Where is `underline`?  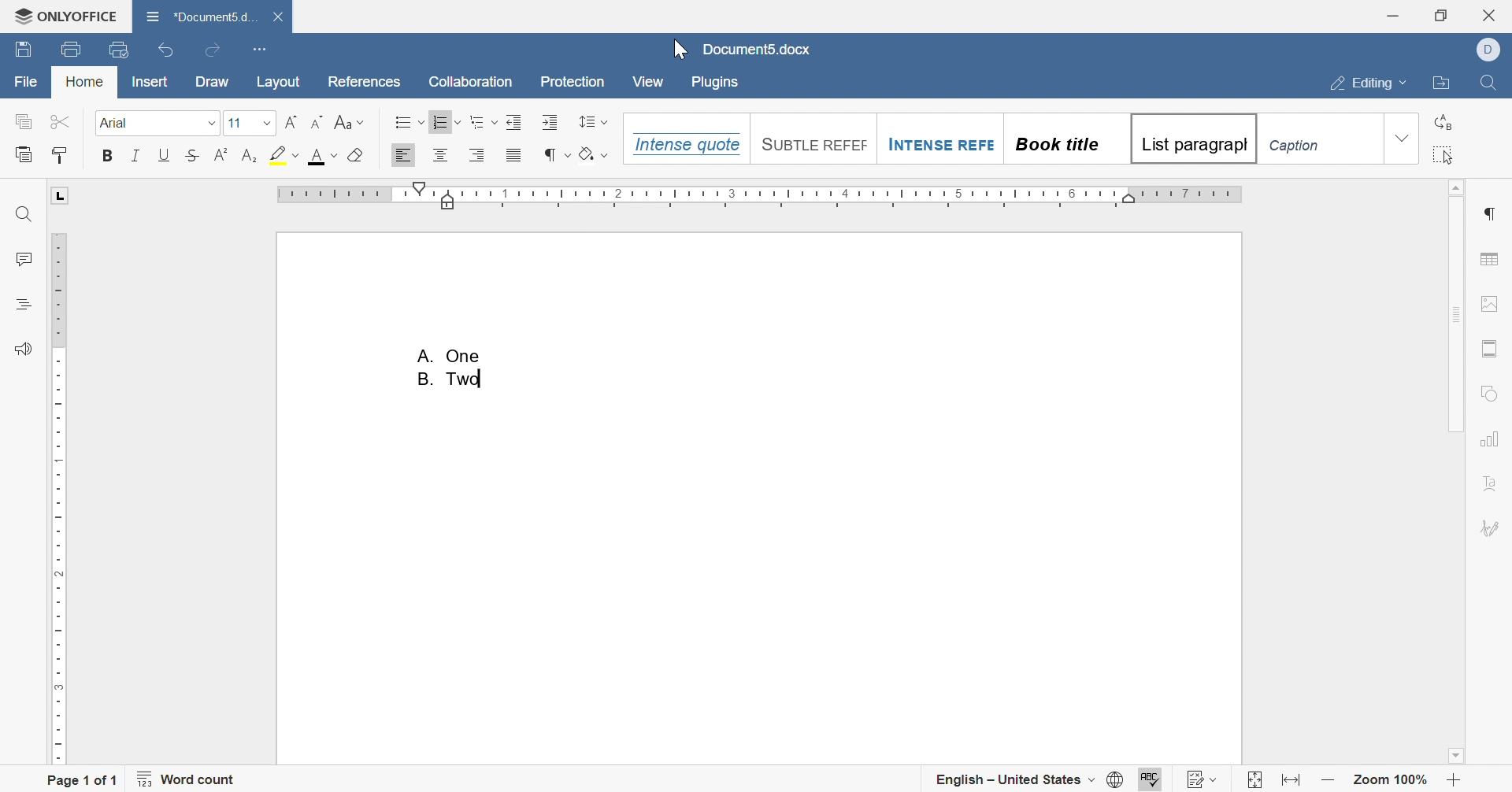 underline is located at coordinates (168, 153).